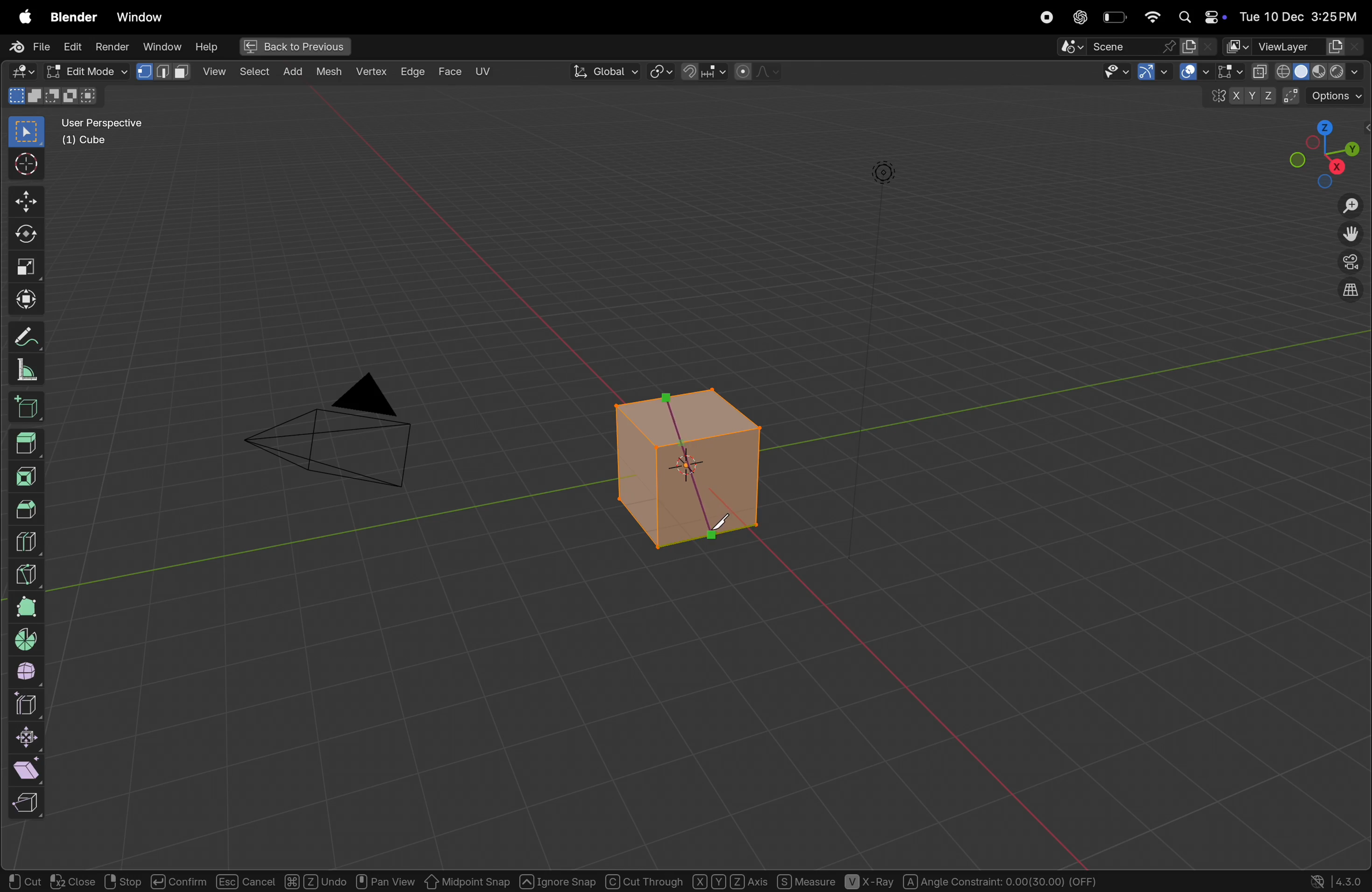 The image size is (1372, 892). Describe the element at coordinates (26, 508) in the screenshot. I see `Bevel ` at that location.